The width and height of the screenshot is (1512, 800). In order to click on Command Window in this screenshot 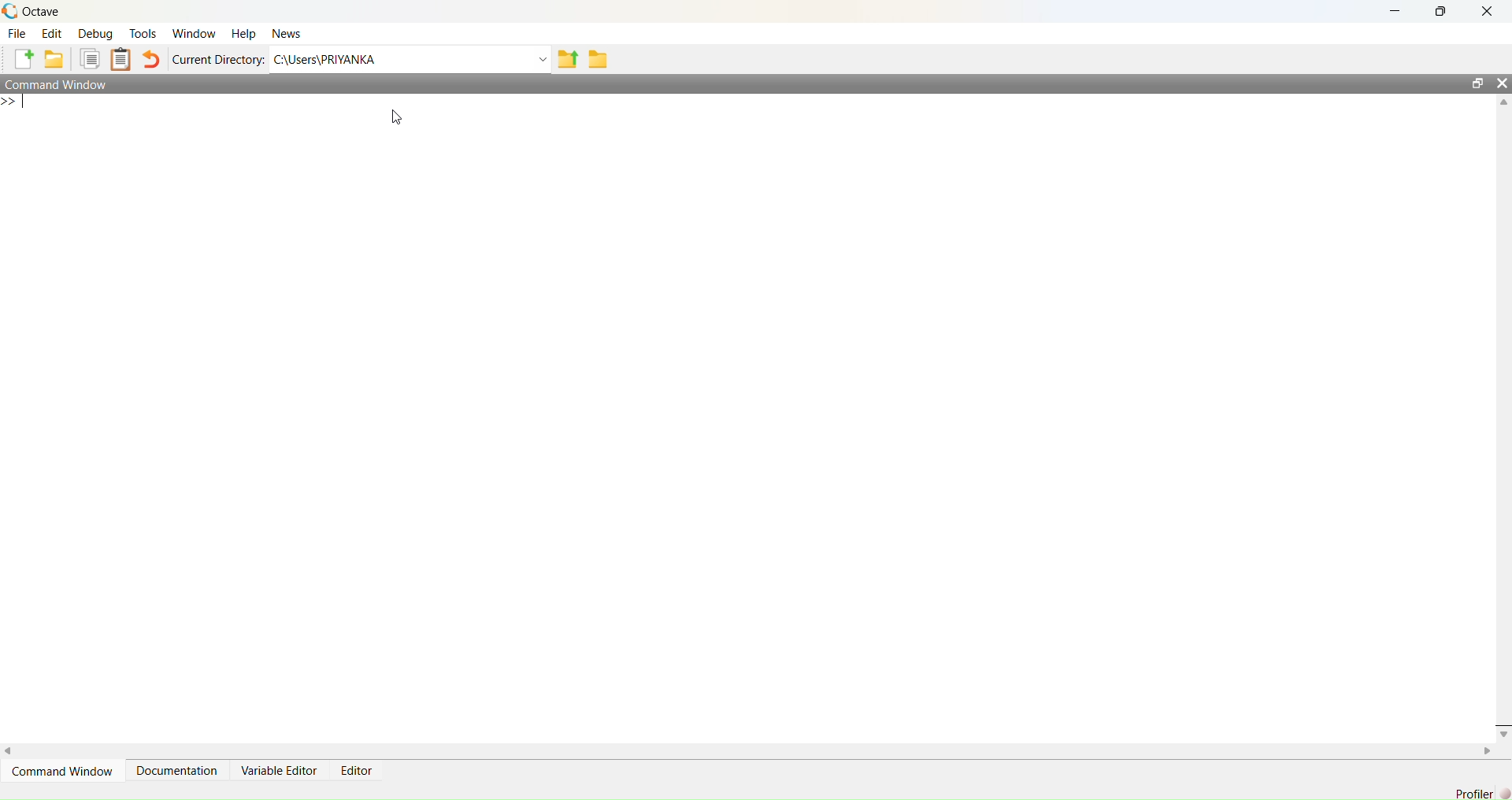, I will do `click(66, 770)`.